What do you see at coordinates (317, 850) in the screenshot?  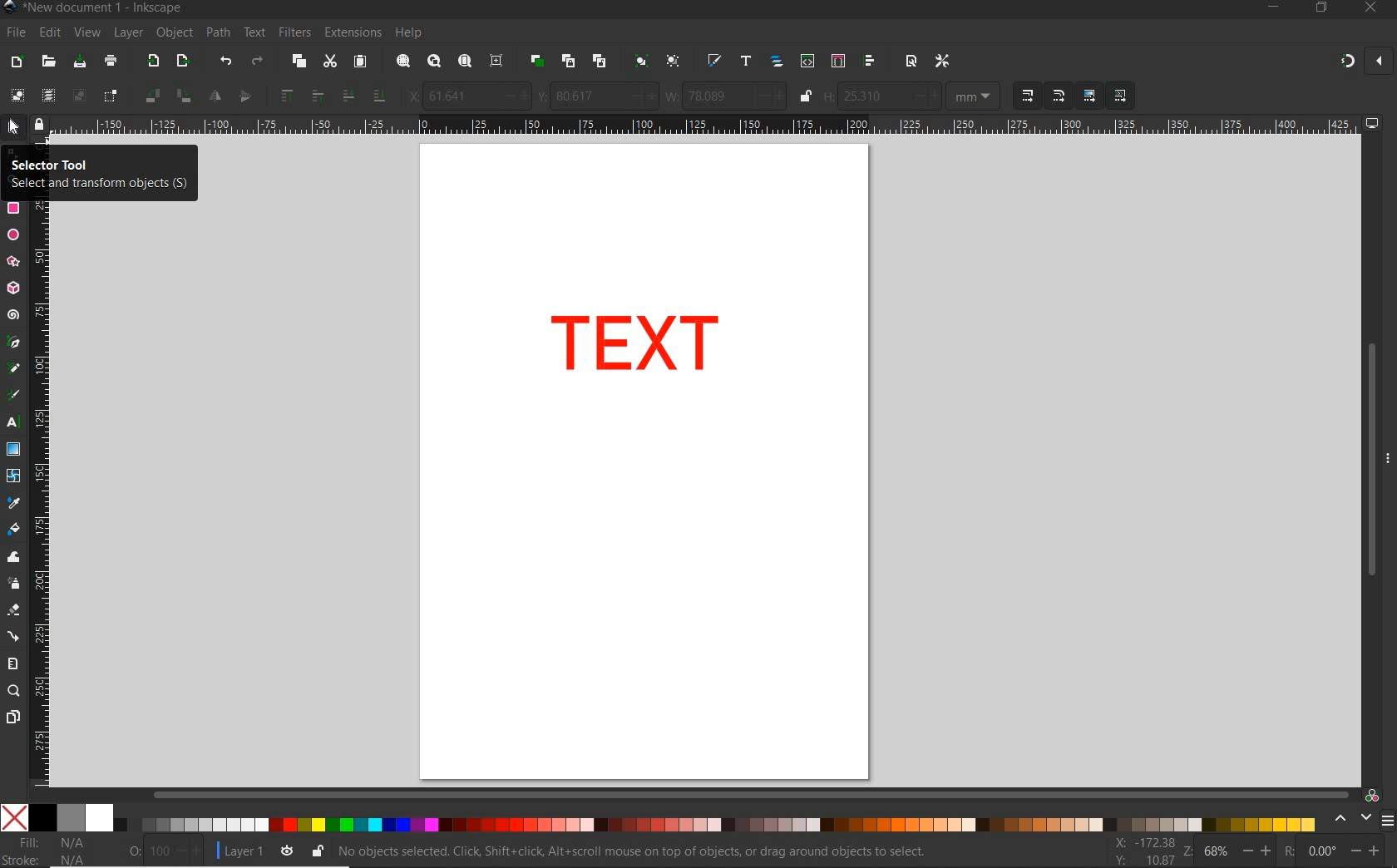 I see `lock/unlock current layer` at bounding box center [317, 850].